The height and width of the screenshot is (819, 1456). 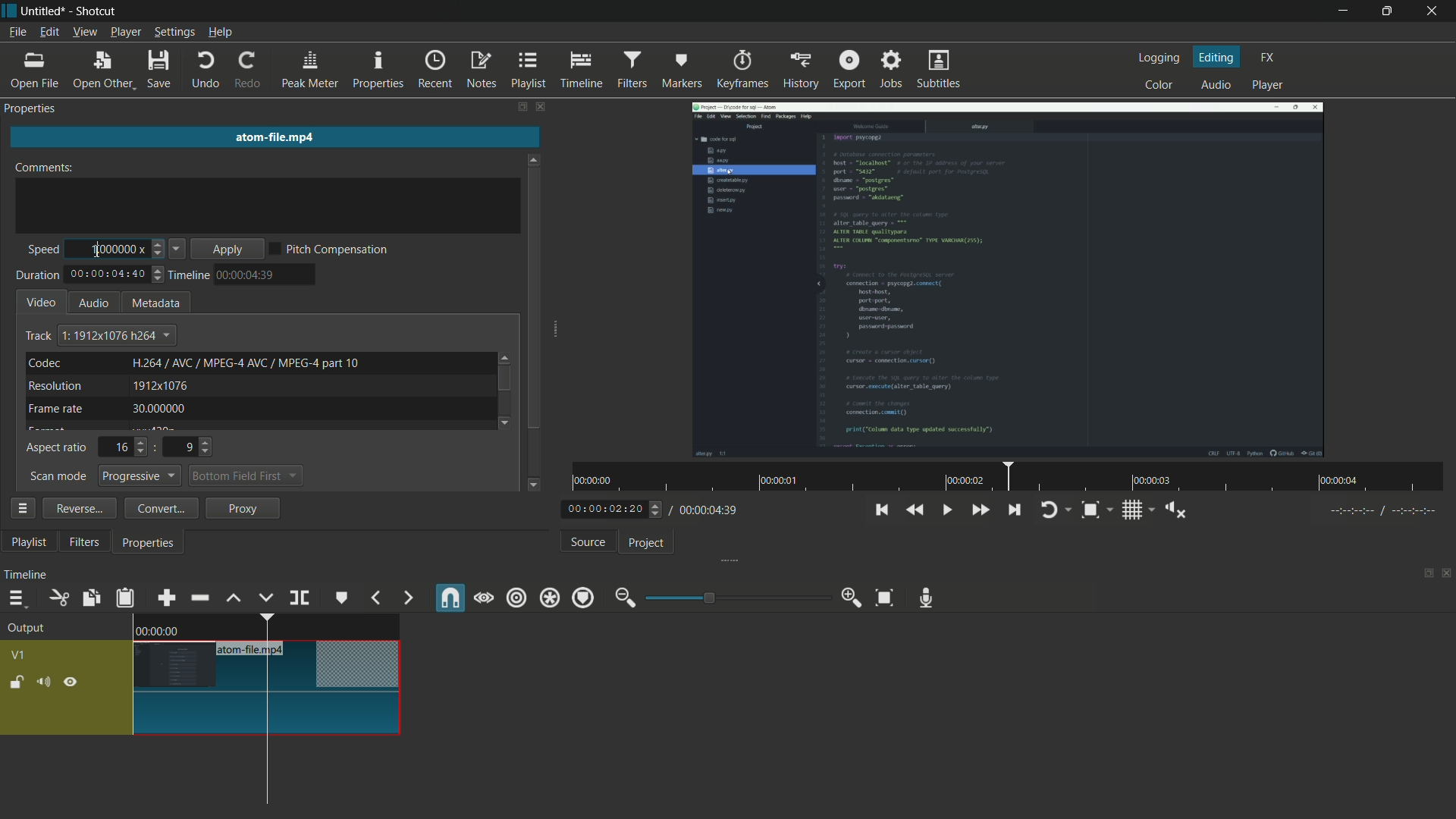 I want to click on copy, so click(x=89, y=598).